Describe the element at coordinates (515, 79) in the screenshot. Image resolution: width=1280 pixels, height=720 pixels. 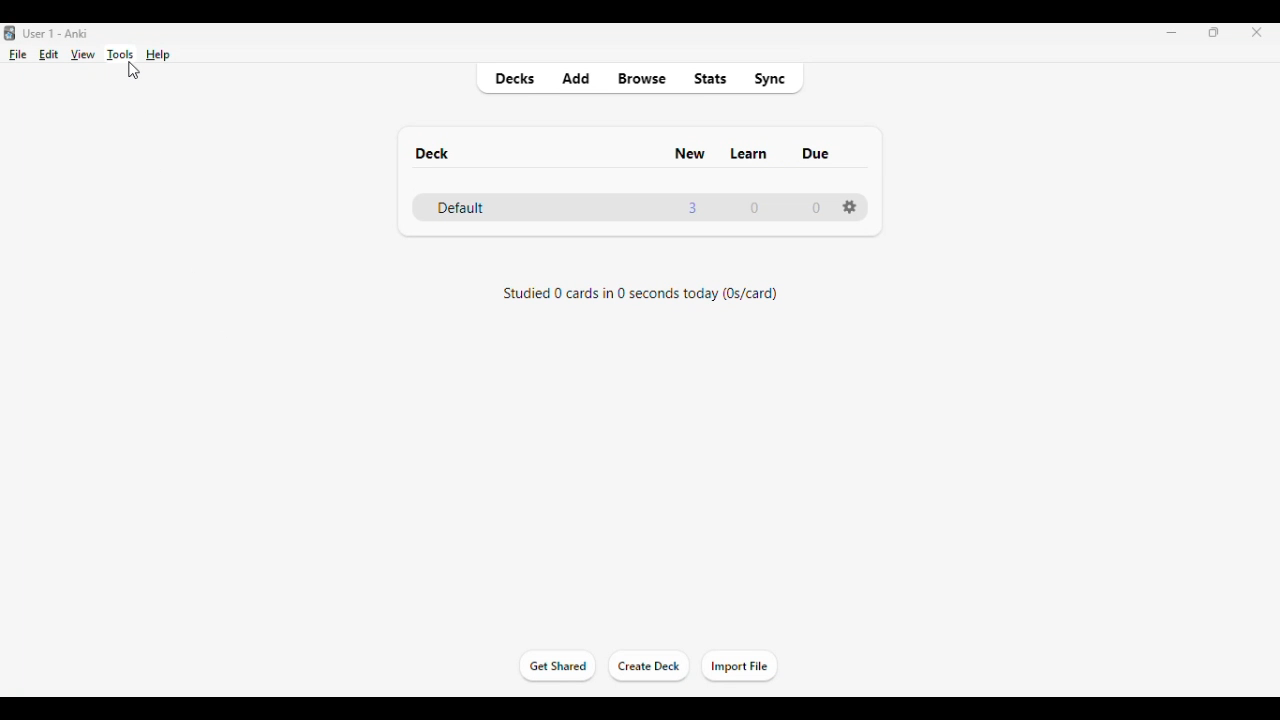
I see `decks` at that location.